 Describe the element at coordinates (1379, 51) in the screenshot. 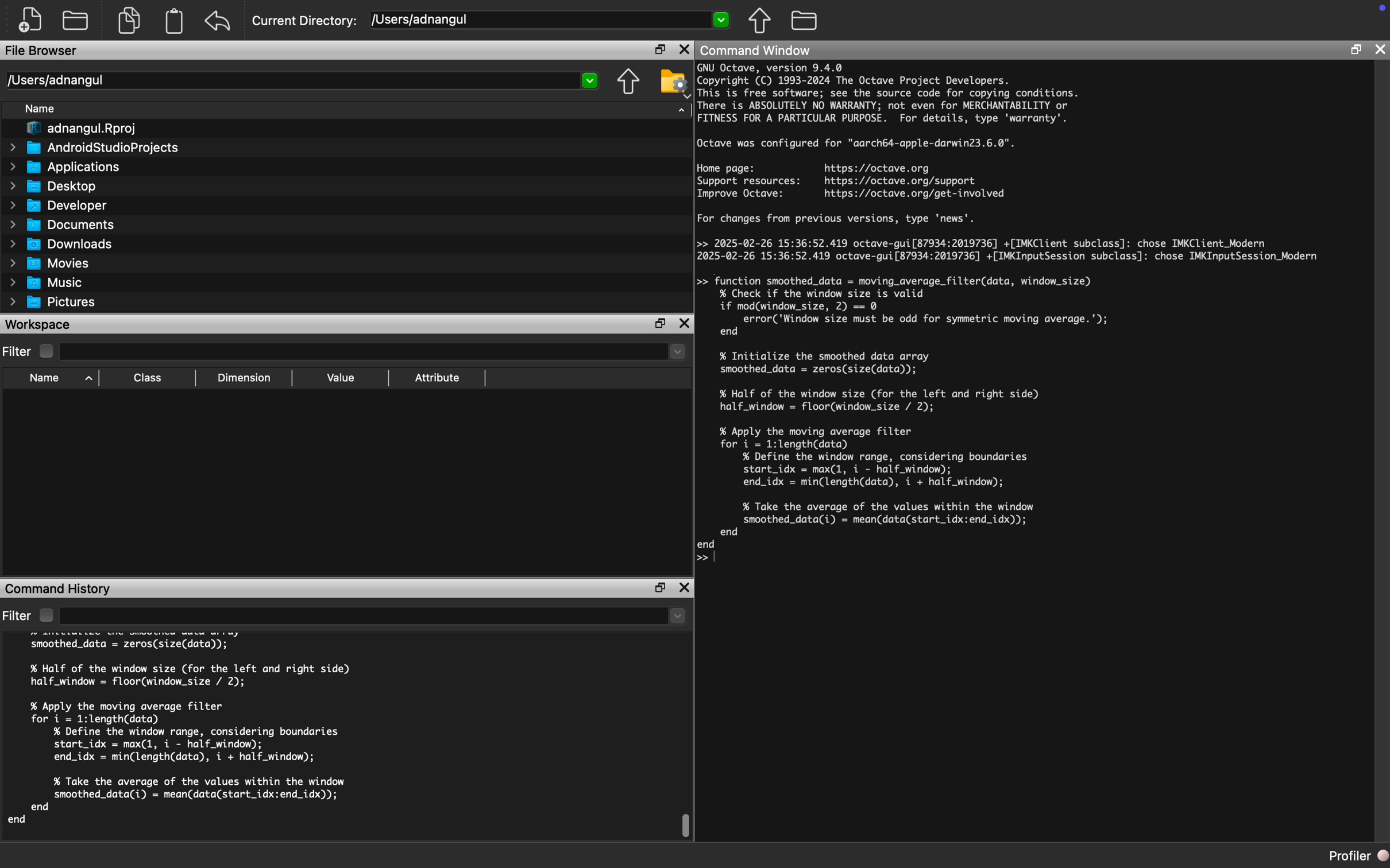

I see `Close` at that location.